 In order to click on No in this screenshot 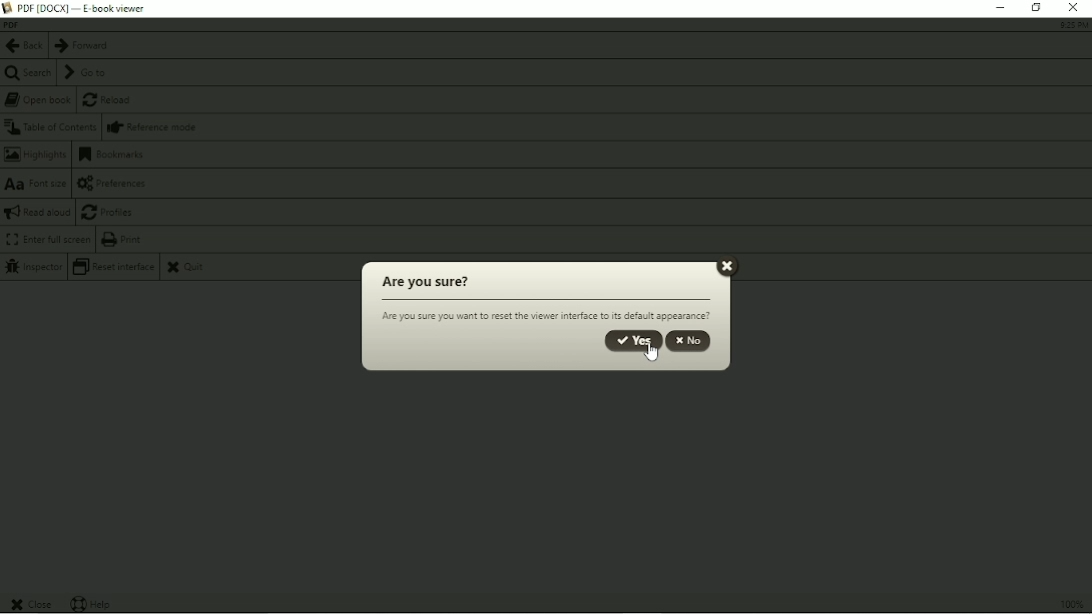, I will do `click(690, 341)`.